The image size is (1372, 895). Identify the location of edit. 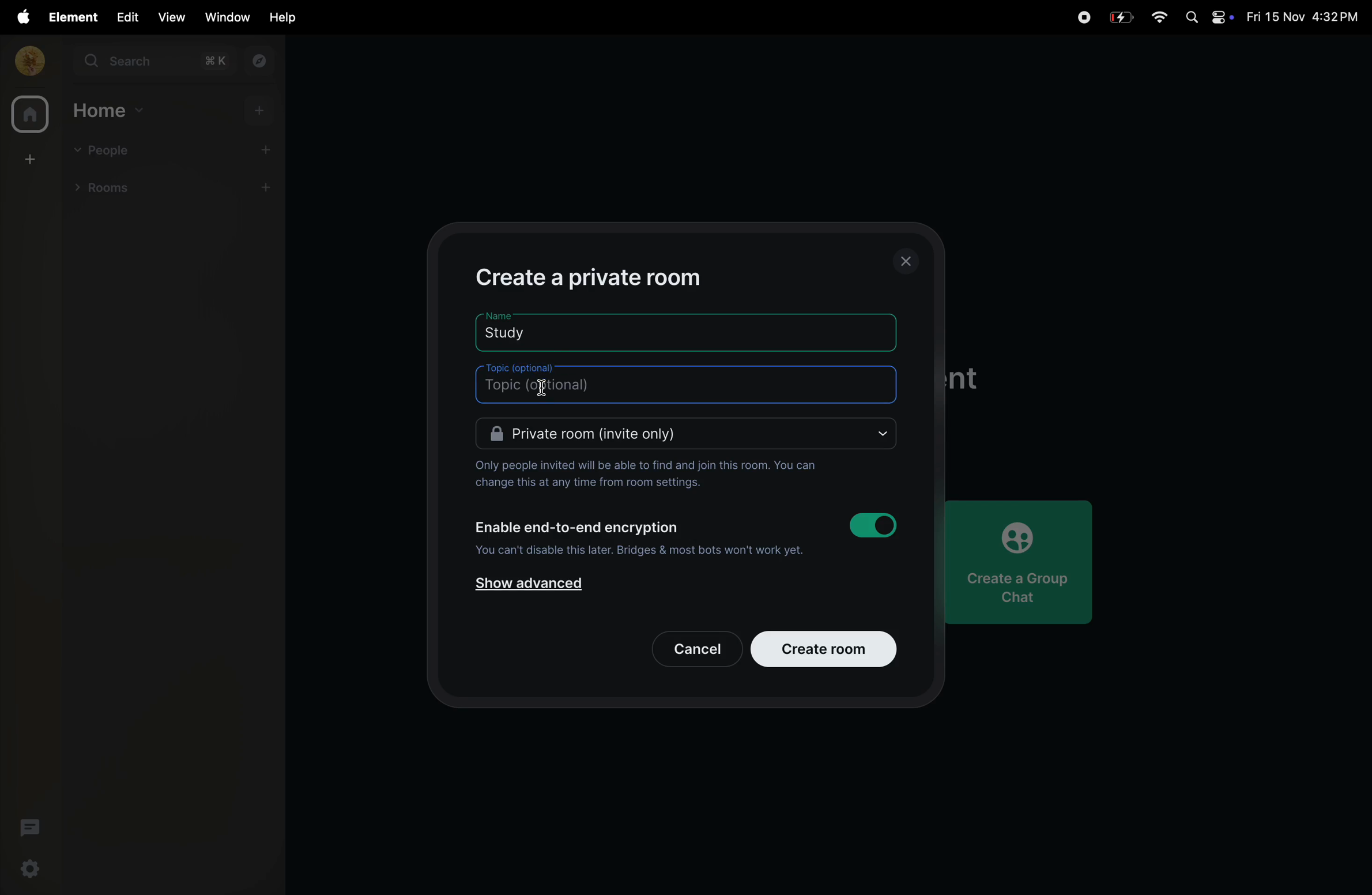
(125, 17).